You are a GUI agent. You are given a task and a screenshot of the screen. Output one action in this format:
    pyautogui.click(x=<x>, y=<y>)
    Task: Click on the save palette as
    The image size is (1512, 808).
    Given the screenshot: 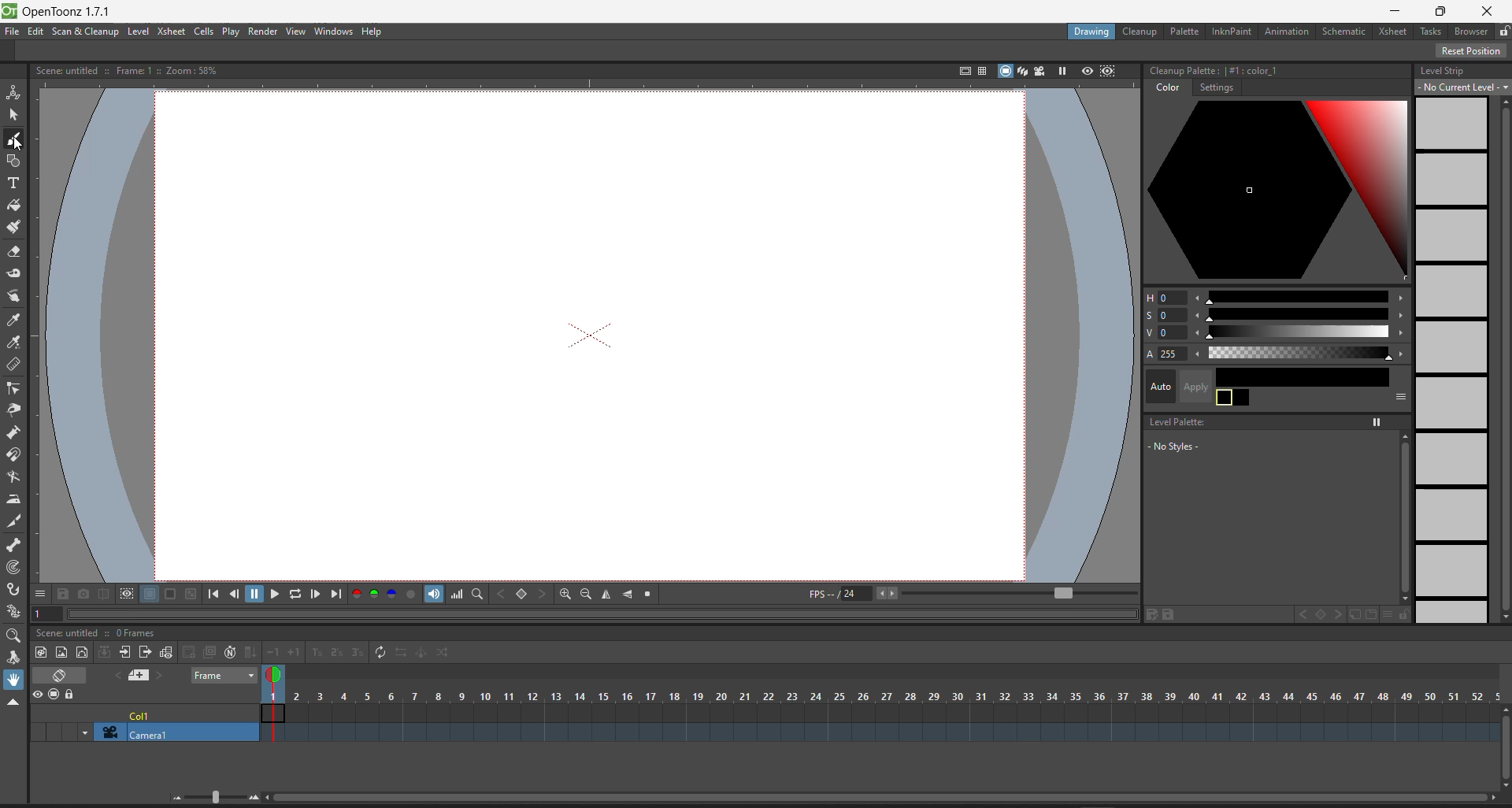 What is the action you would take?
    pyautogui.click(x=1149, y=614)
    